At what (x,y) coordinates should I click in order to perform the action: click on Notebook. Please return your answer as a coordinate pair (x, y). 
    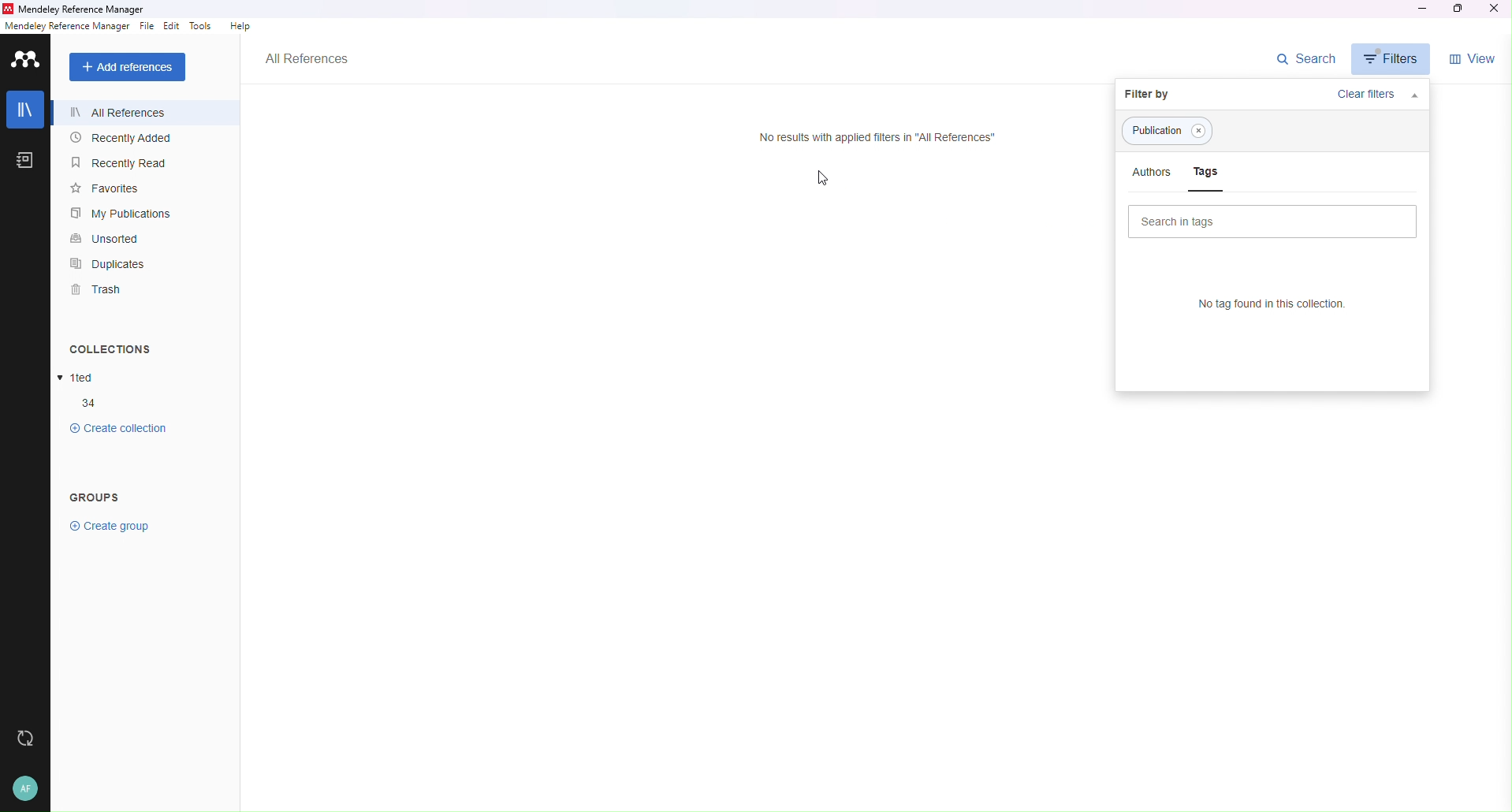
    Looking at the image, I should click on (22, 159).